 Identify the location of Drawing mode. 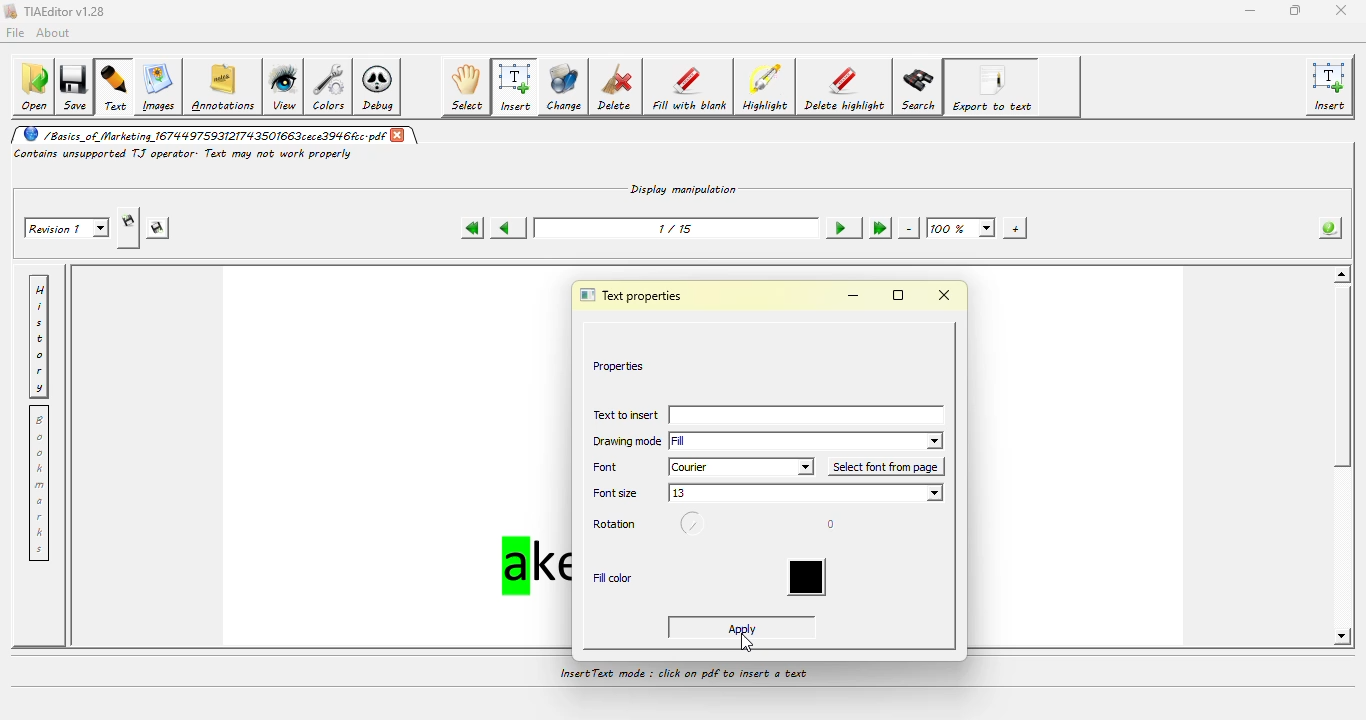
(625, 443).